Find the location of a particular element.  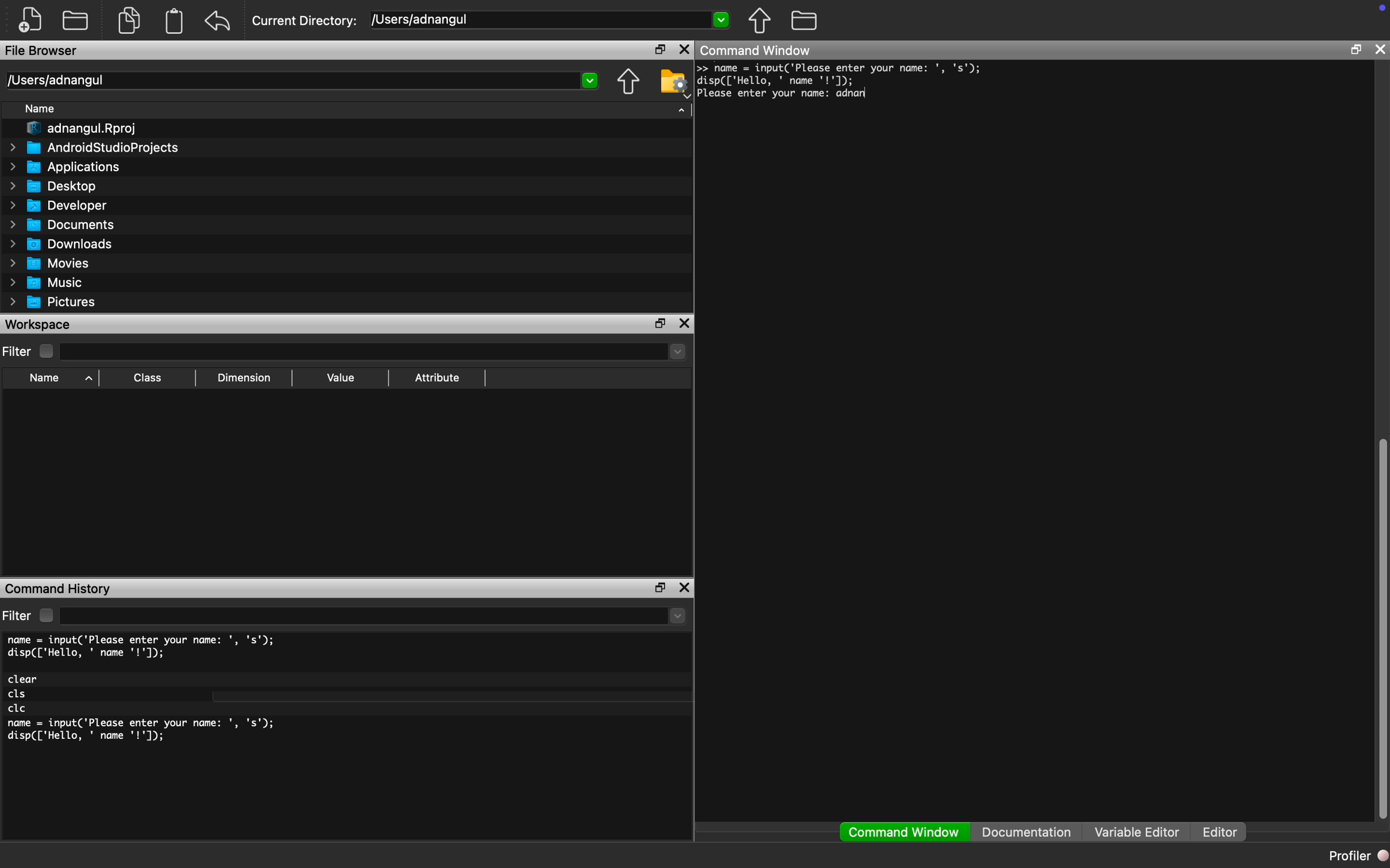

Folder is located at coordinates (75, 20).